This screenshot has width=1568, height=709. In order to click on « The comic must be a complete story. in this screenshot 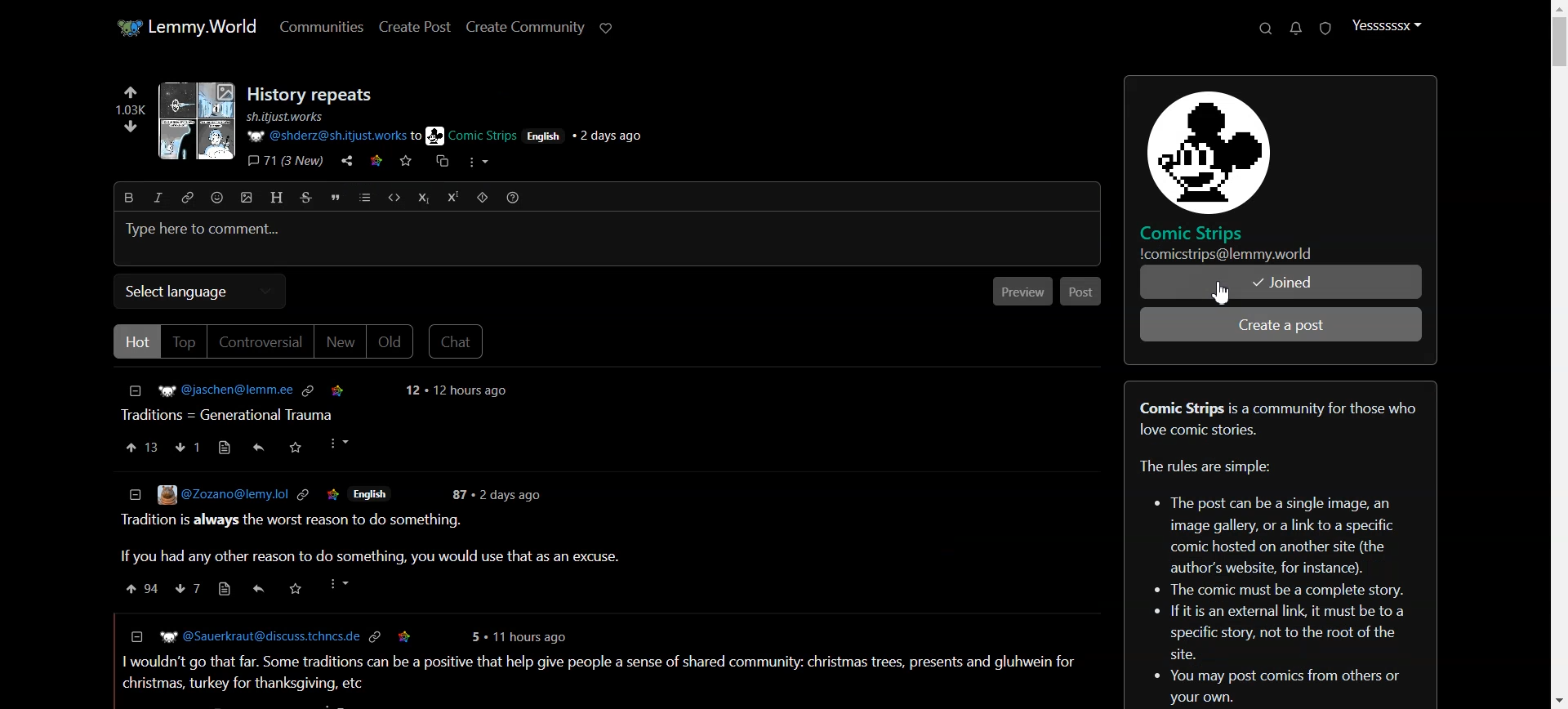, I will do `click(1284, 588)`.